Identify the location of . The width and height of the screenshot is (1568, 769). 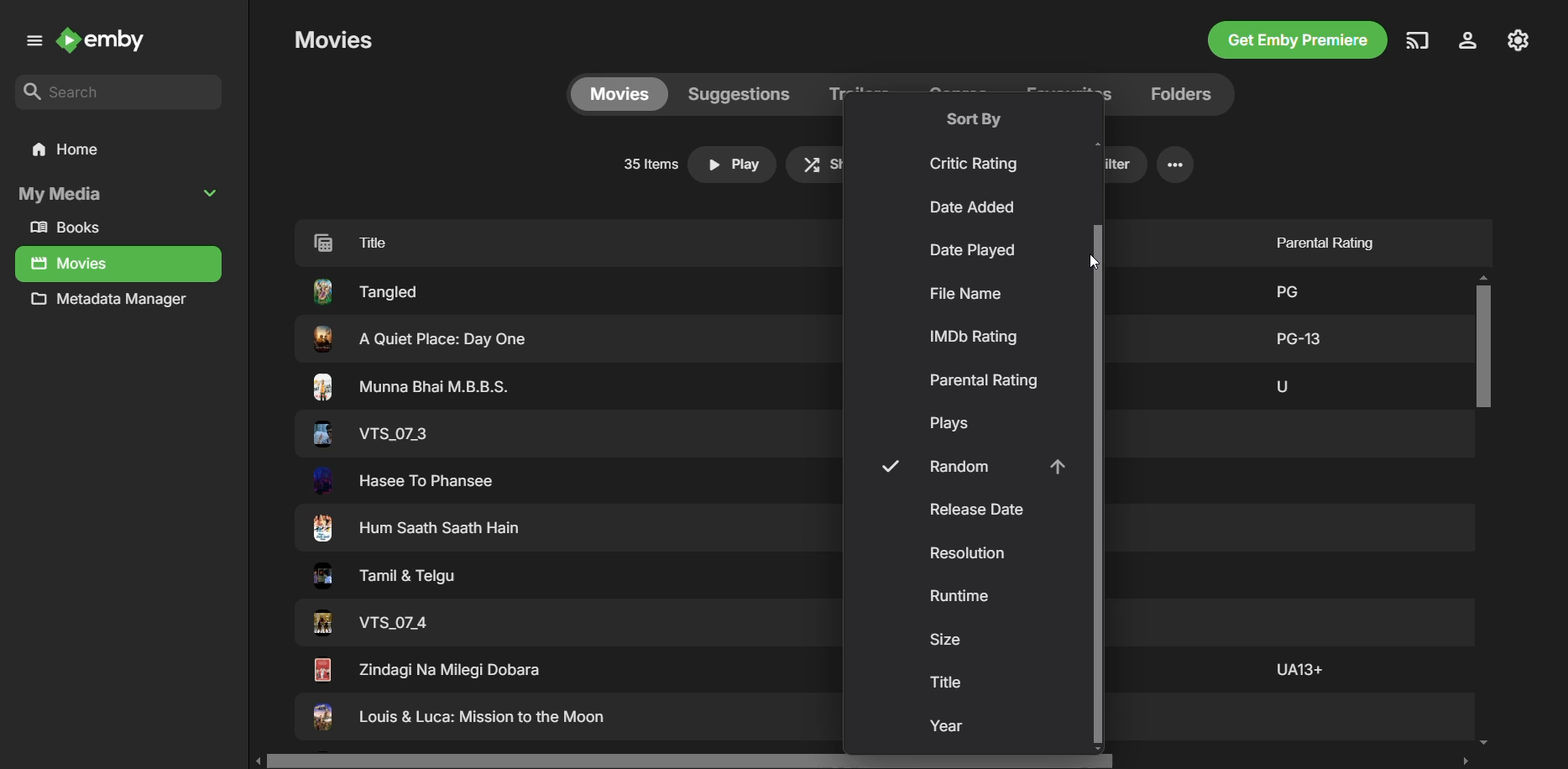
(426, 669).